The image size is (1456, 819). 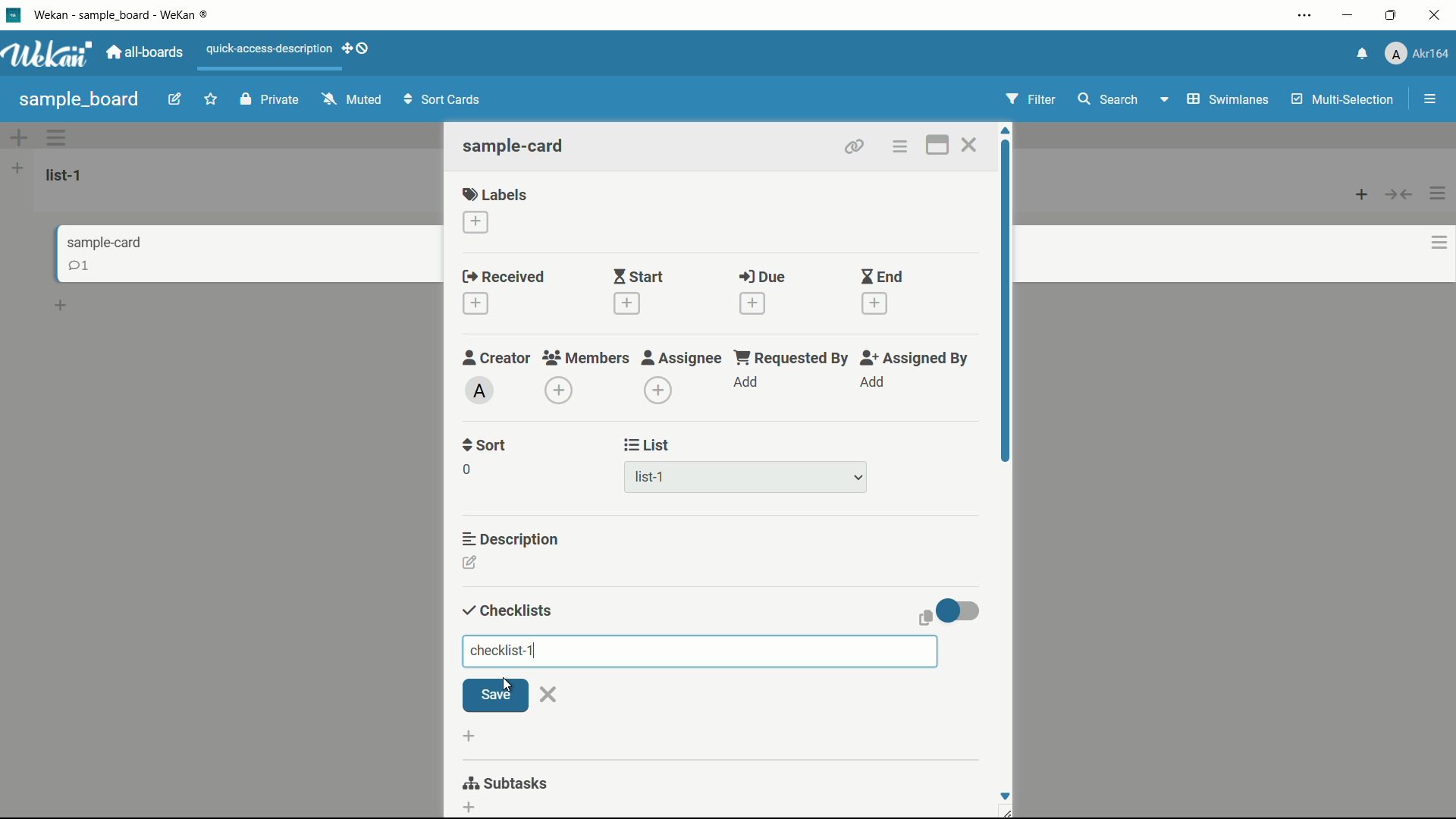 I want to click on edit, so click(x=165, y=99).